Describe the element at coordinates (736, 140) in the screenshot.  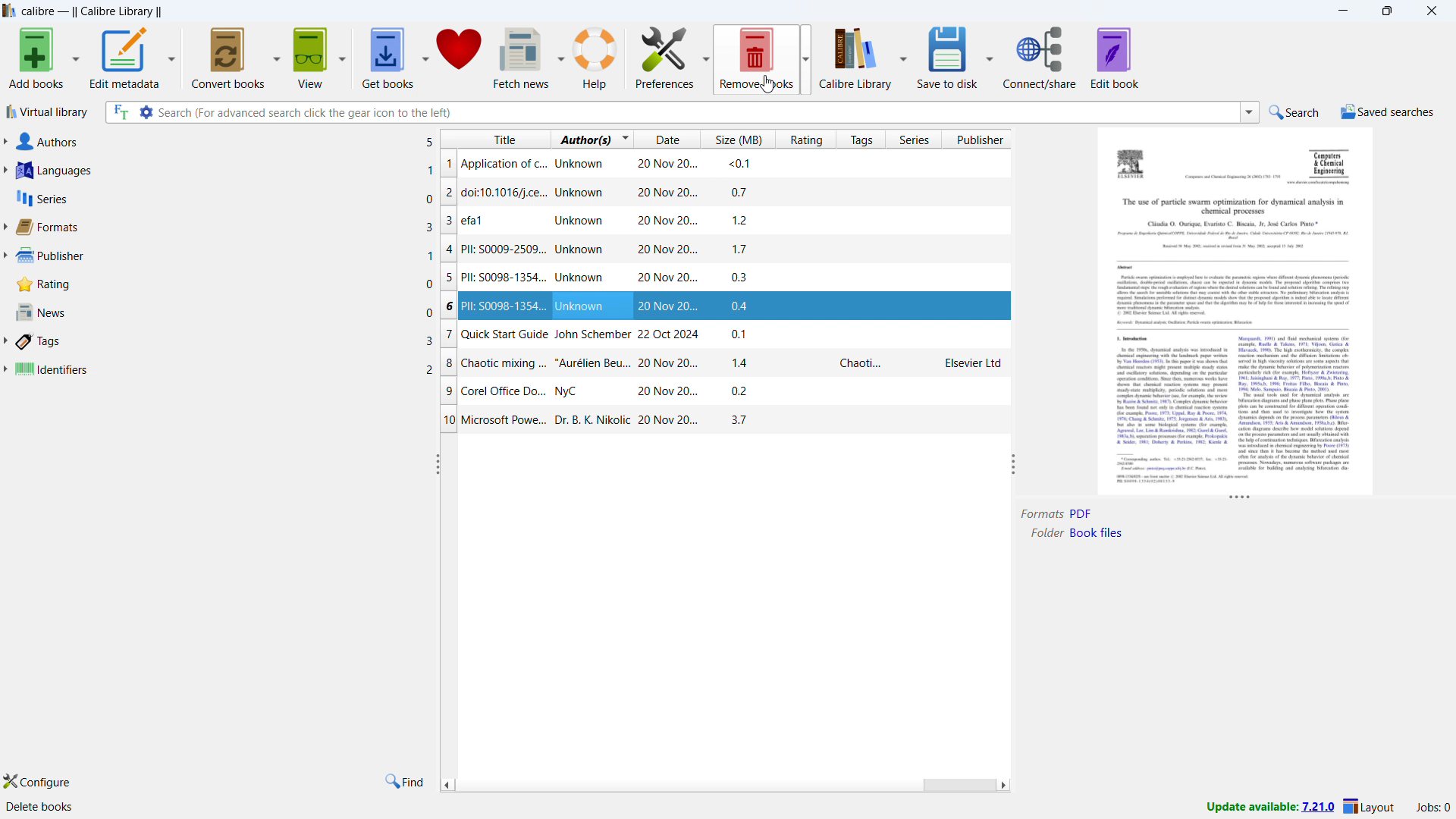
I see `sort by size` at that location.